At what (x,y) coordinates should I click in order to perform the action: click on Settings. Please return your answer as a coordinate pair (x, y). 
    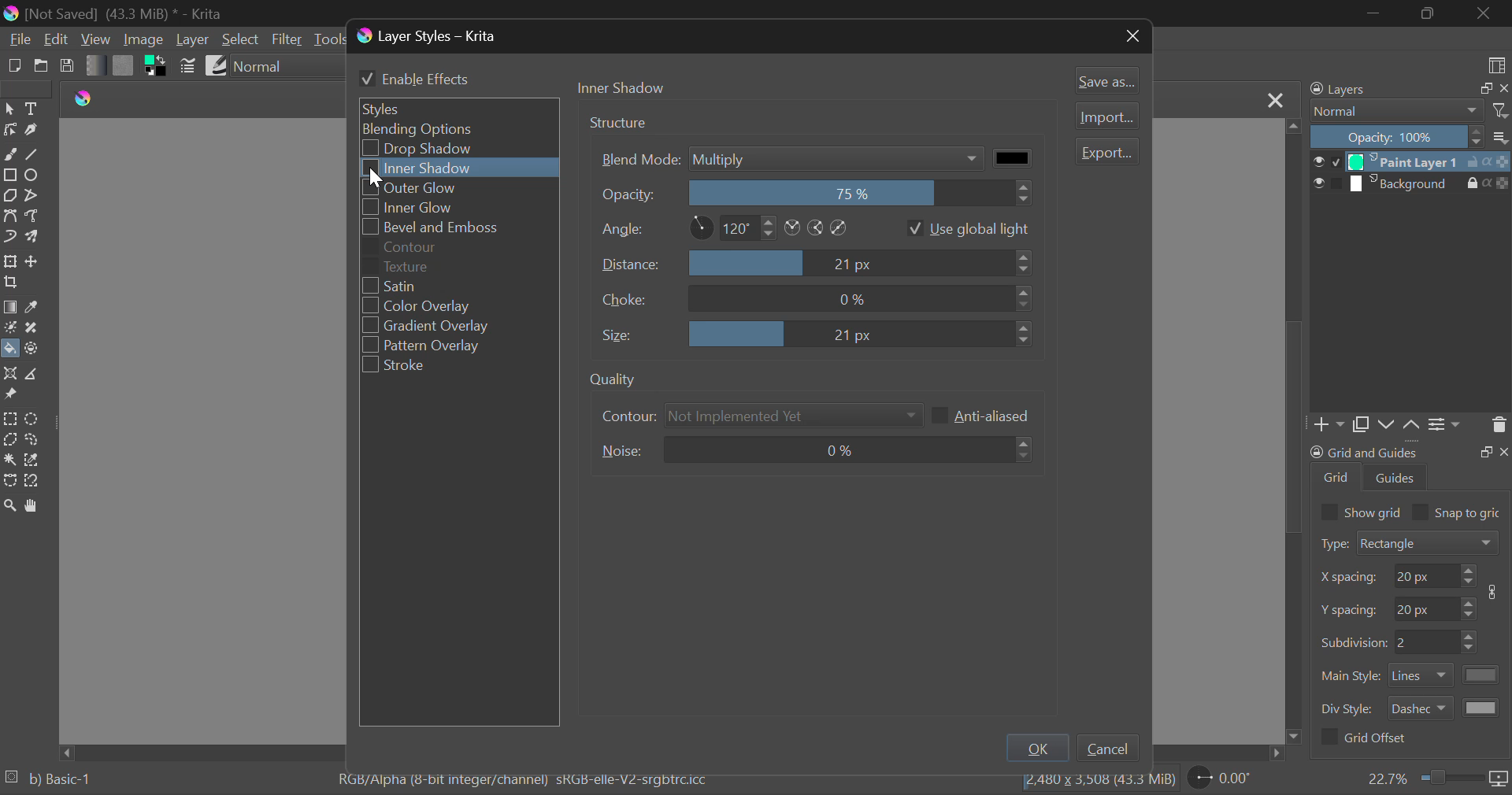
    Looking at the image, I should click on (1447, 429).